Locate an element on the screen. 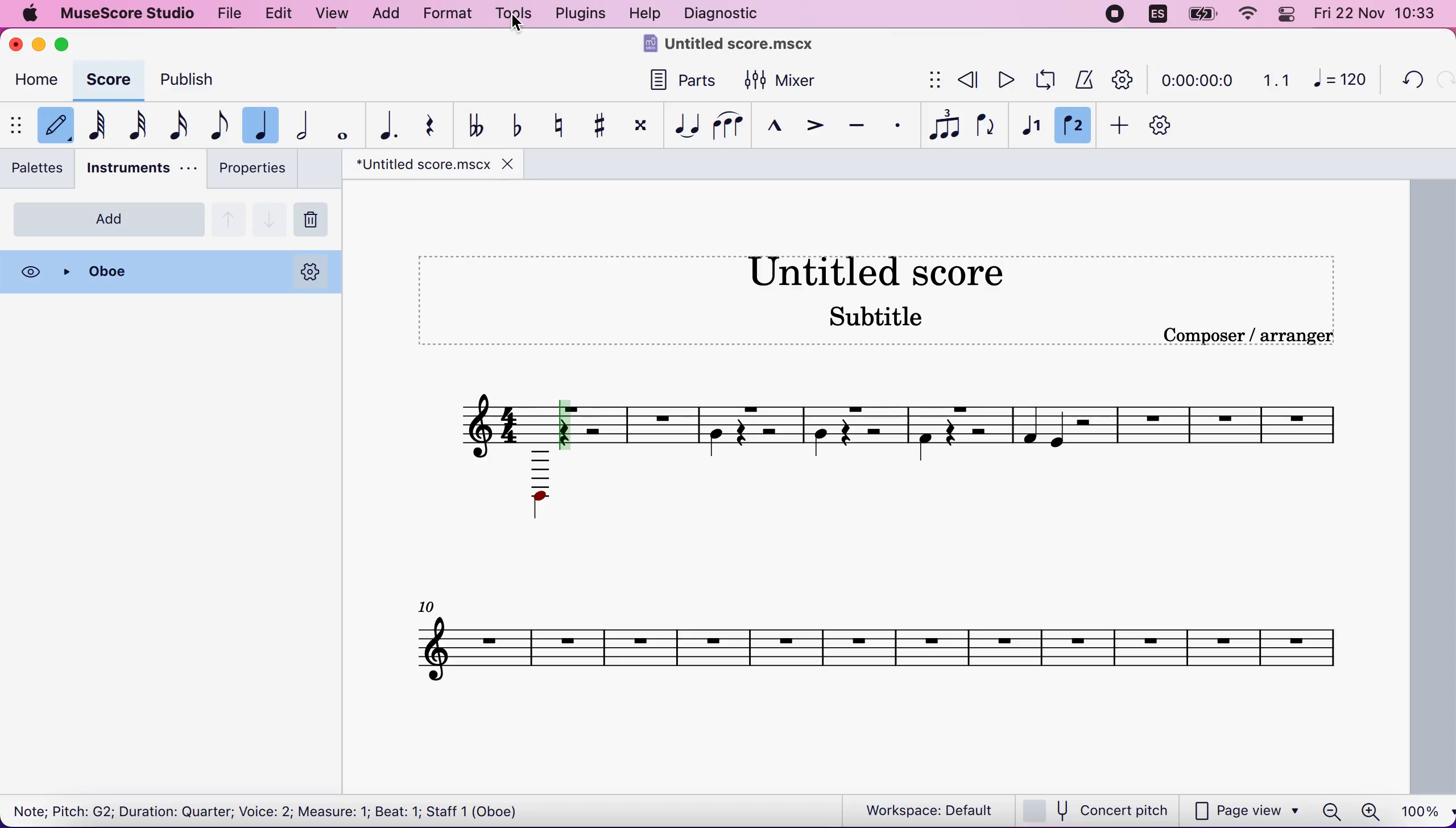 The width and height of the screenshot is (1456, 828). show/hide is located at coordinates (18, 127).